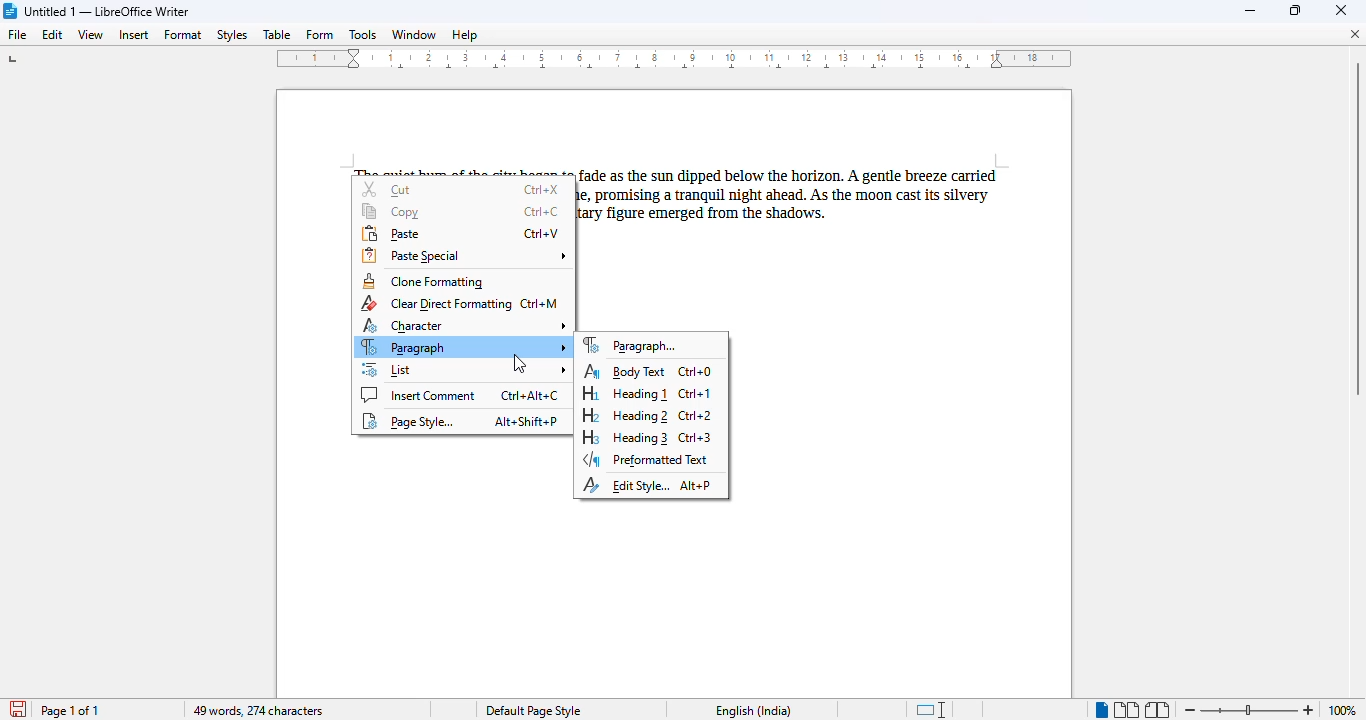 Image resolution: width=1366 pixels, height=720 pixels. Describe the element at coordinates (646, 437) in the screenshot. I see `heading 3` at that location.